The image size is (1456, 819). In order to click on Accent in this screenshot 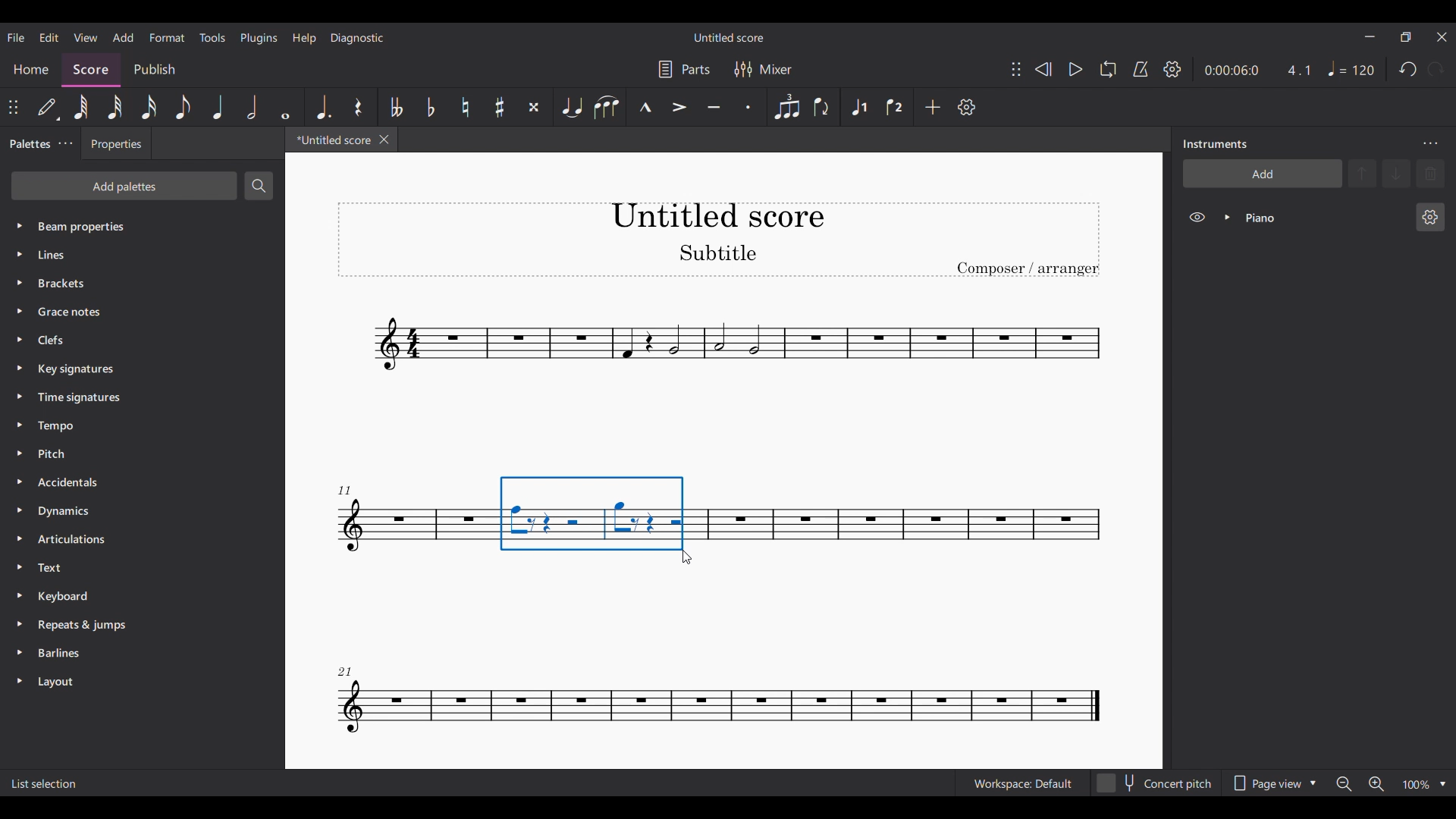, I will do `click(679, 108)`.